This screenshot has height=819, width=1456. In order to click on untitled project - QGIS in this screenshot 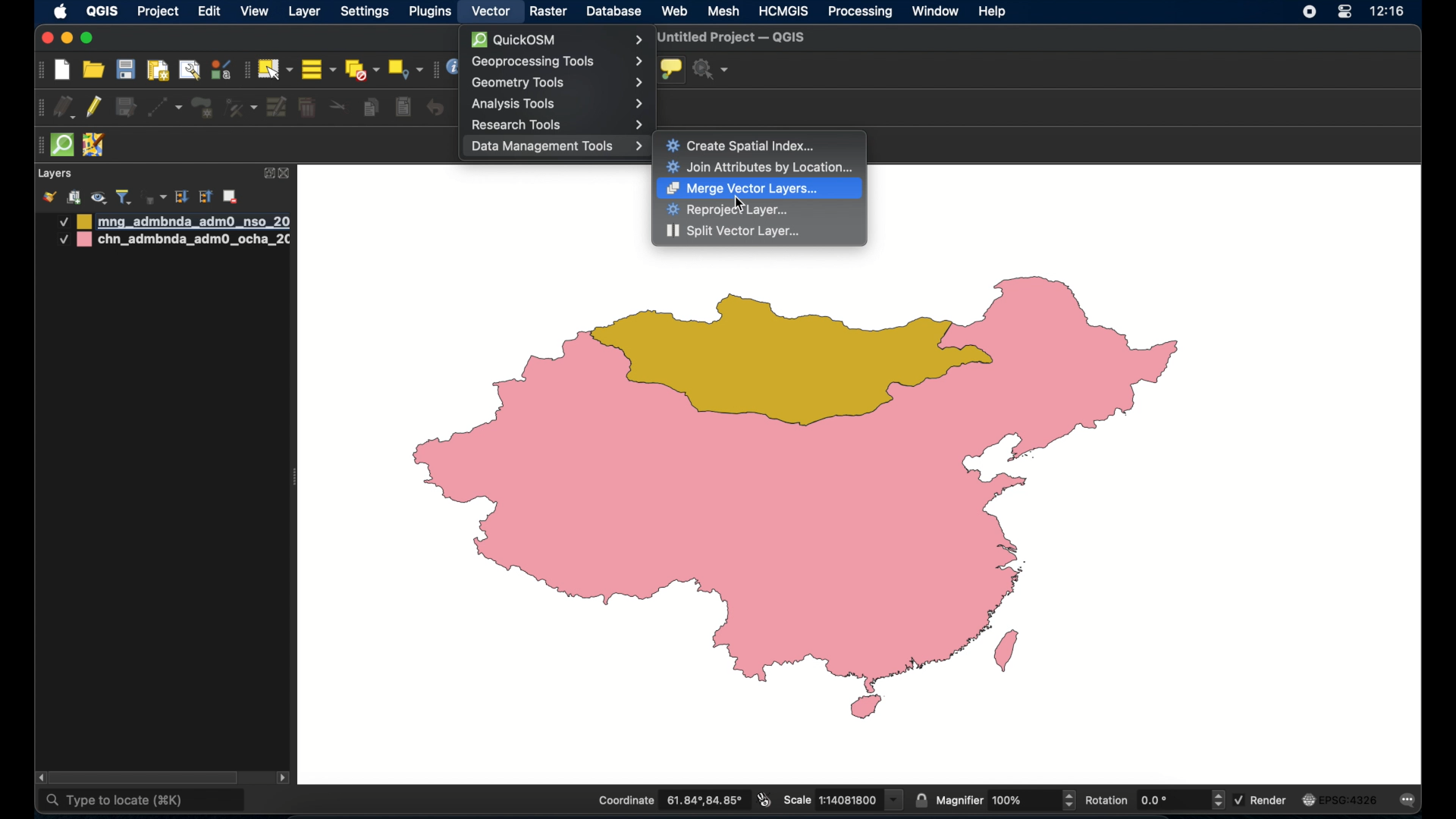, I will do `click(735, 38)`.